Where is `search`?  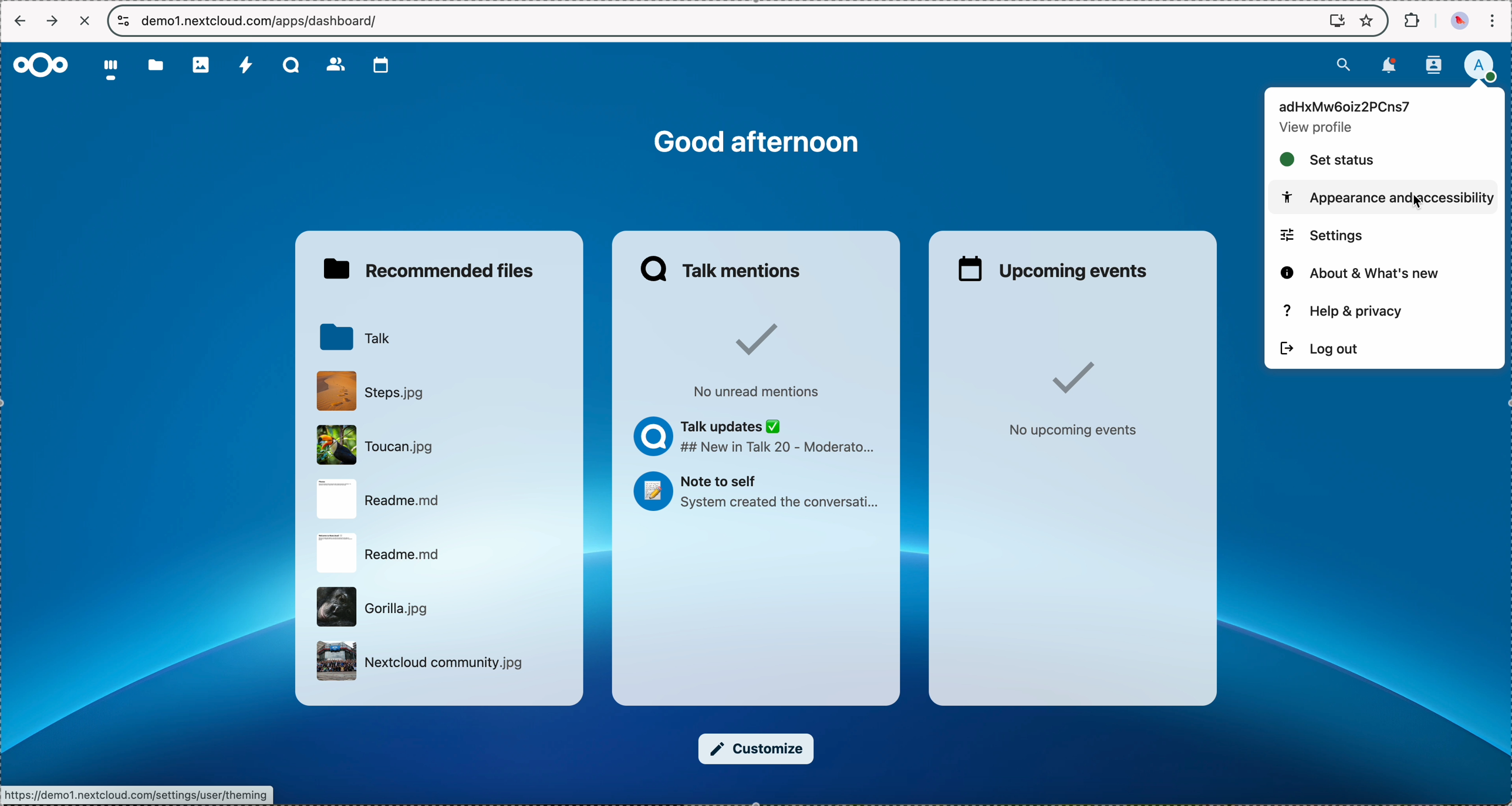 search is located at coordinates (1341, 66).